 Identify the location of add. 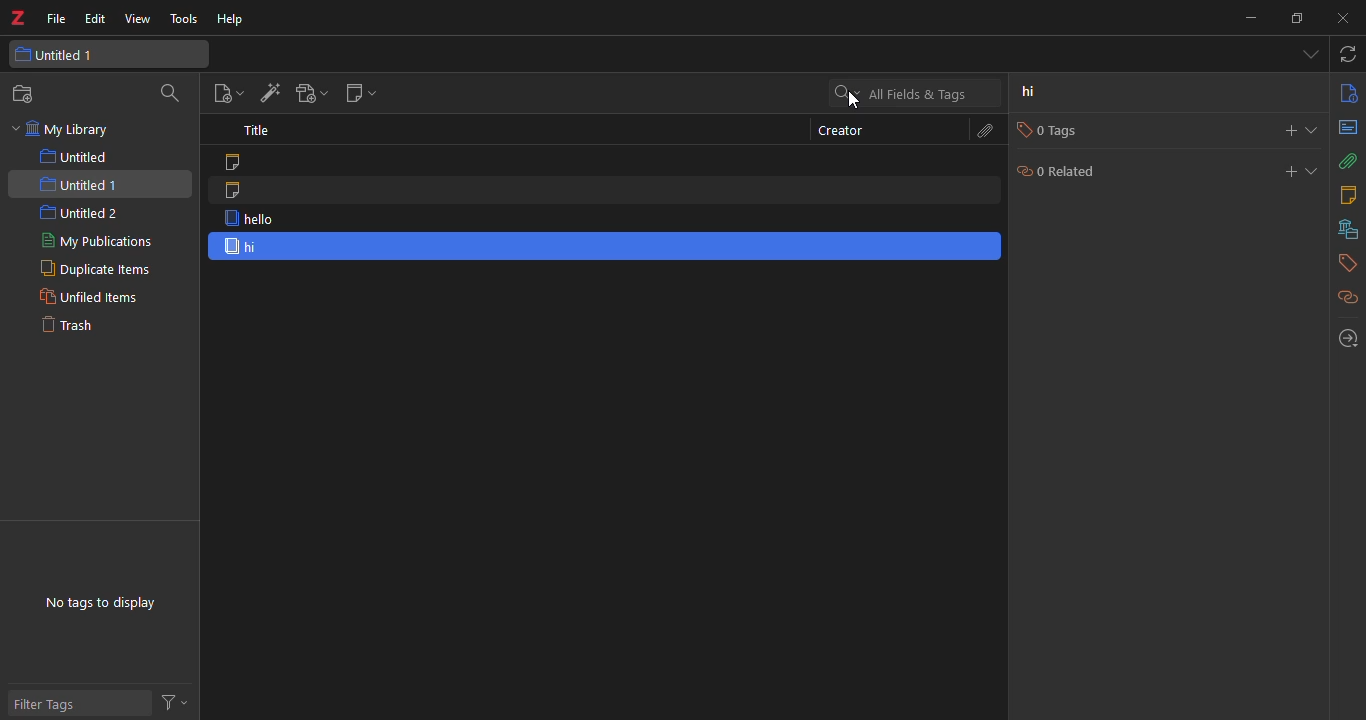
(1285, 171).